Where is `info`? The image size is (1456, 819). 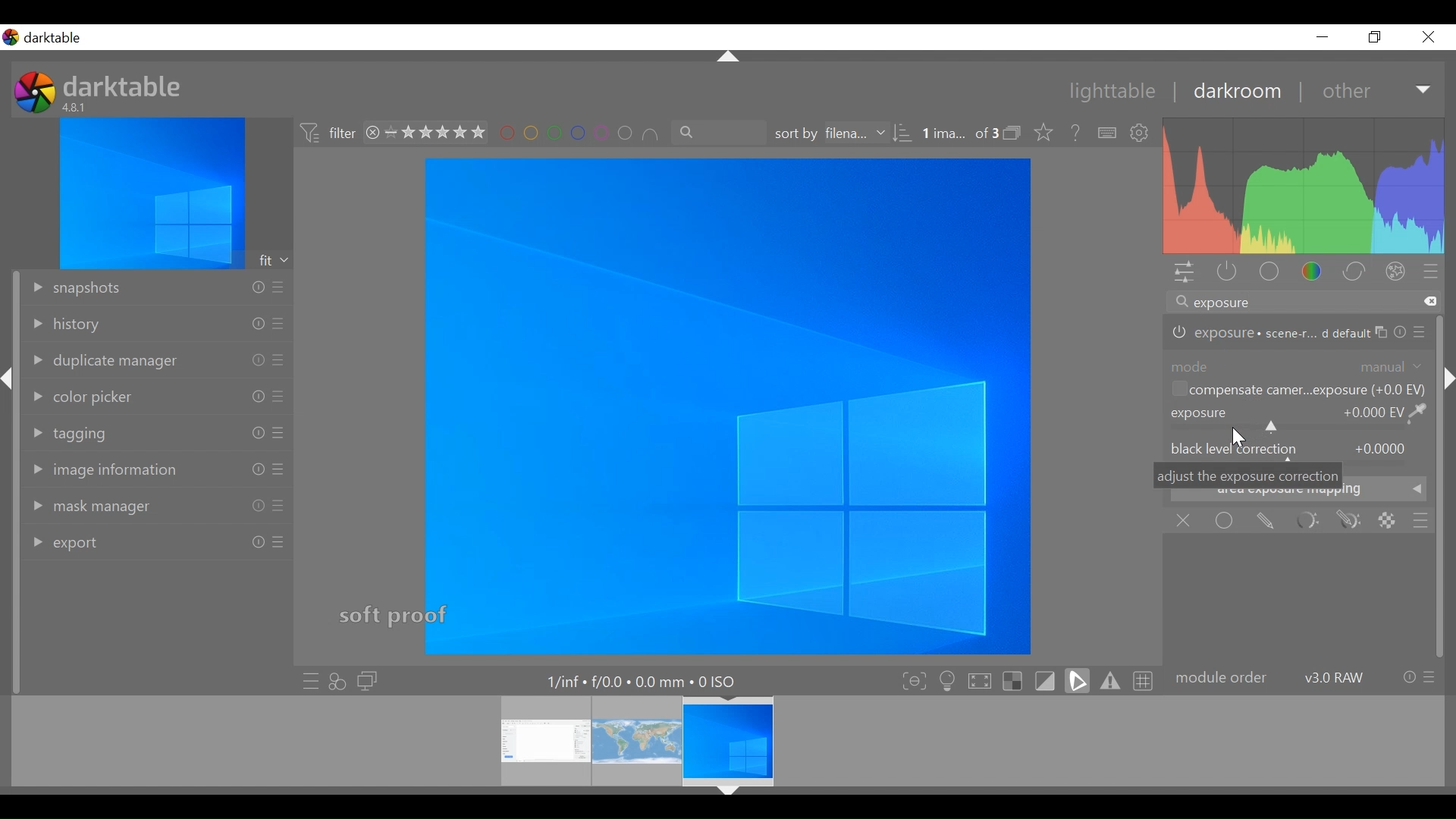 info is located at coordinates (259, 541).